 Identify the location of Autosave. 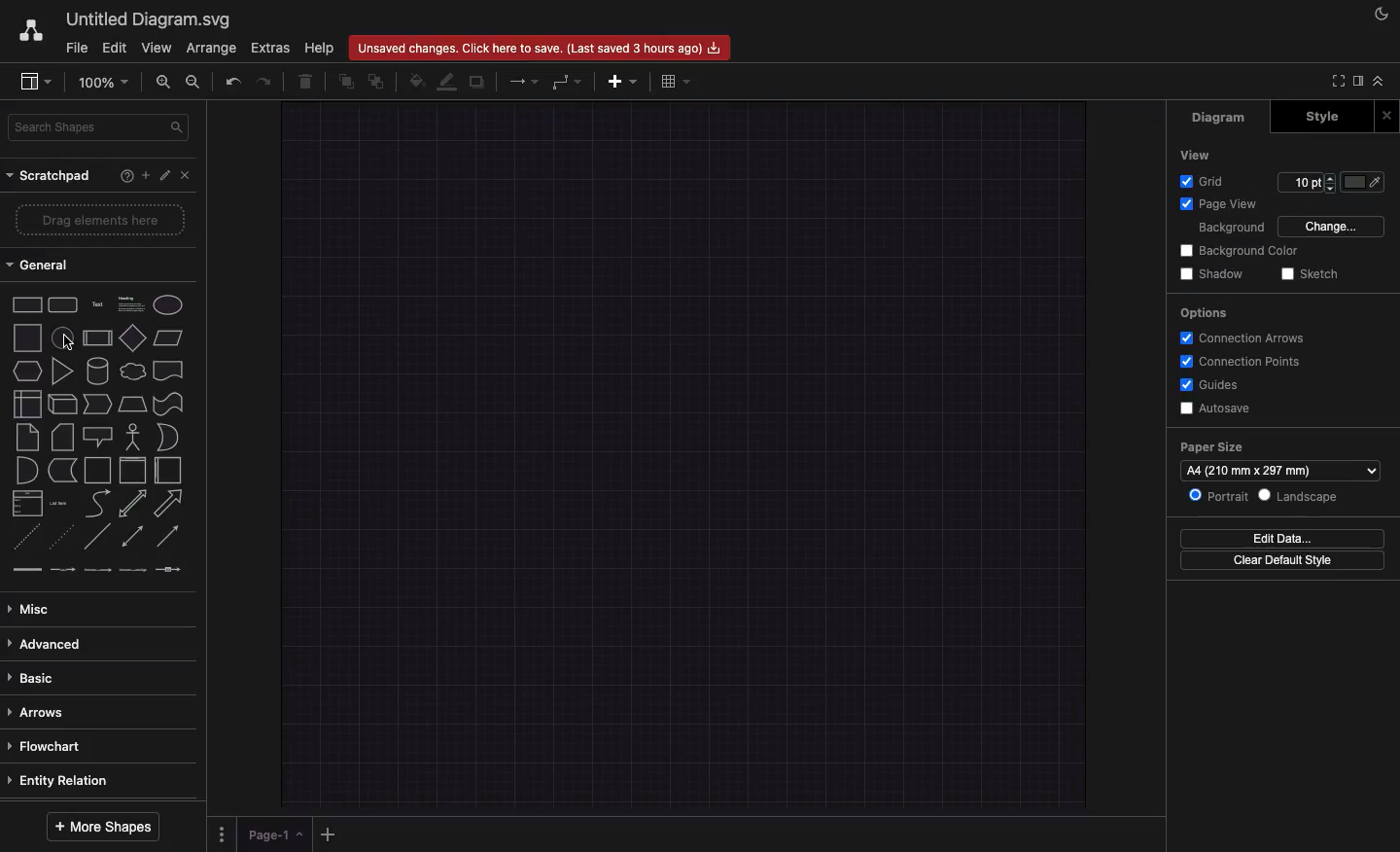
(1218, 408).